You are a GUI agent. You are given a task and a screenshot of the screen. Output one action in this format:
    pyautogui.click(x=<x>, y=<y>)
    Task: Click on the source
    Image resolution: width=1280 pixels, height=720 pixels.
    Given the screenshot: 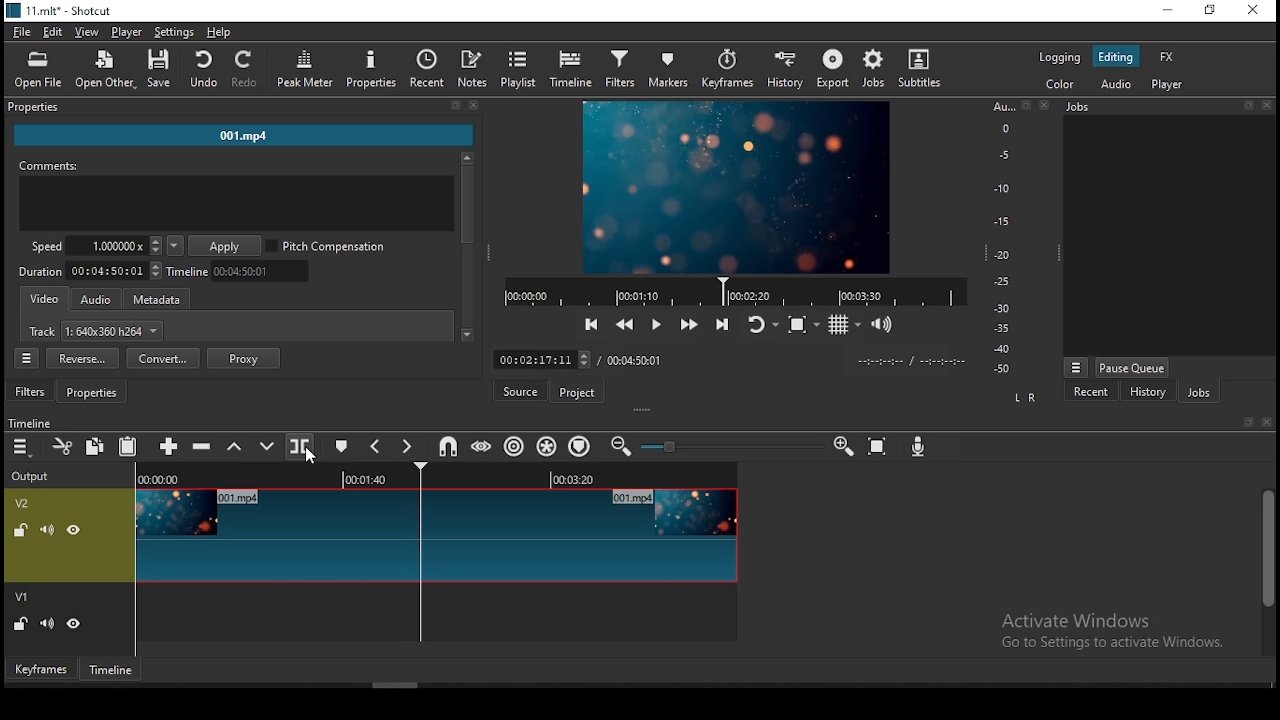 What is the action you would take?
    pyautogui.click(x=523, y=391)
    